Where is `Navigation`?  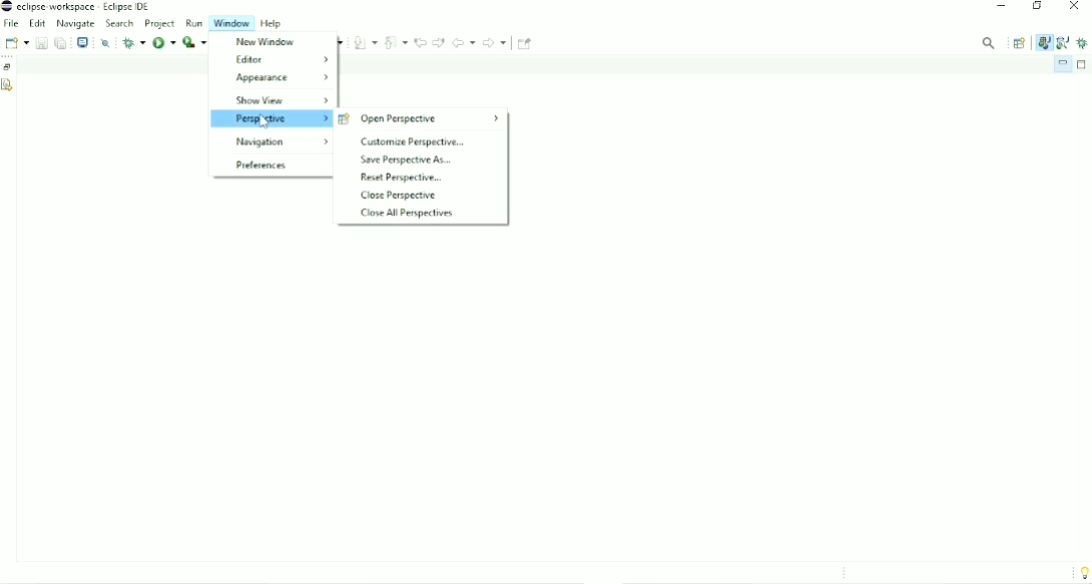
Navigation is located at coordinates (281, 142).